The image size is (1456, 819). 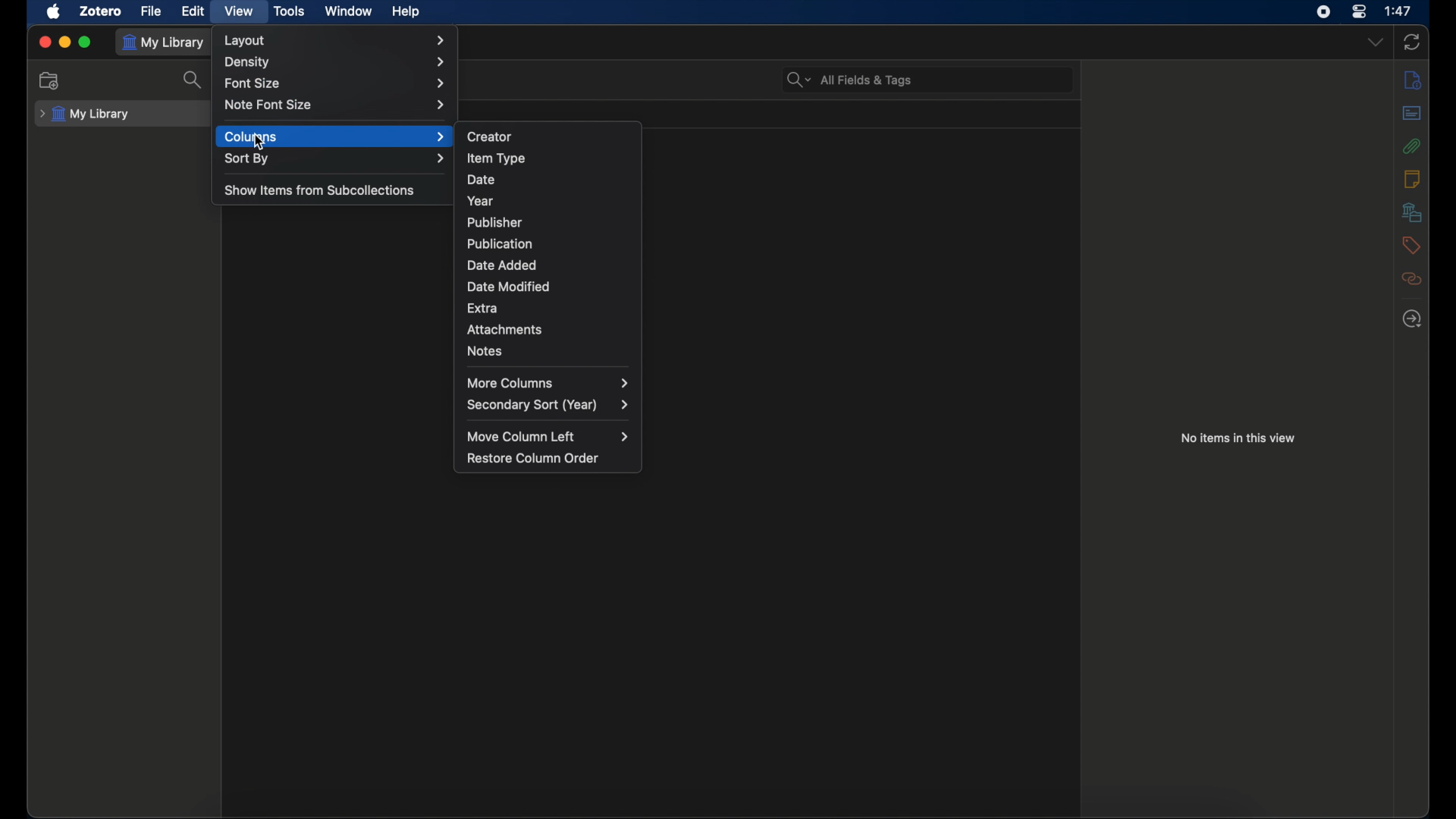 What do you see at coordinates (1412, 212) in the screenshot?
I see `libraries` at bounding box center [1412, 212].